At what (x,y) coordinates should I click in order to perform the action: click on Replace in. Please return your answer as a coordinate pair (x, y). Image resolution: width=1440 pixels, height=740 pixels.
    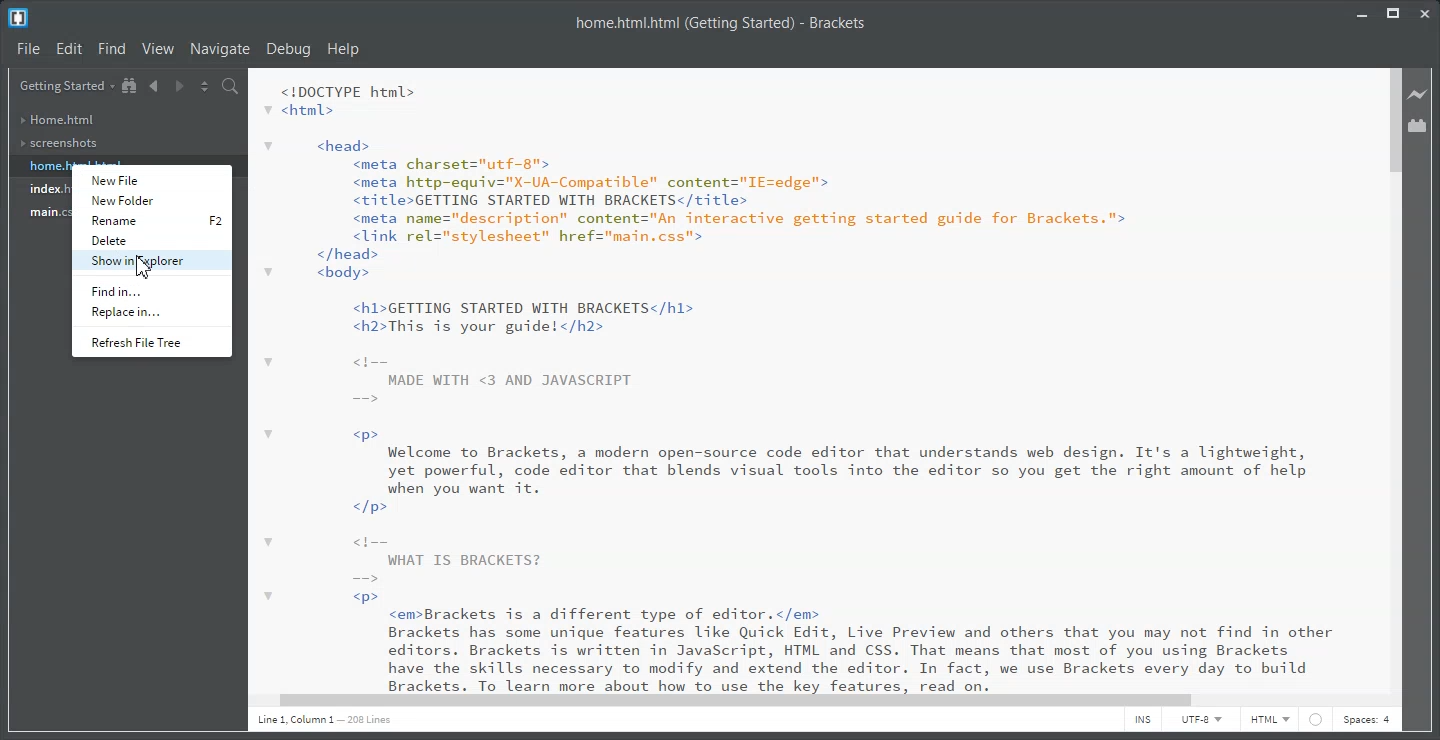
    Looking at the image, I should click on (150, 311).